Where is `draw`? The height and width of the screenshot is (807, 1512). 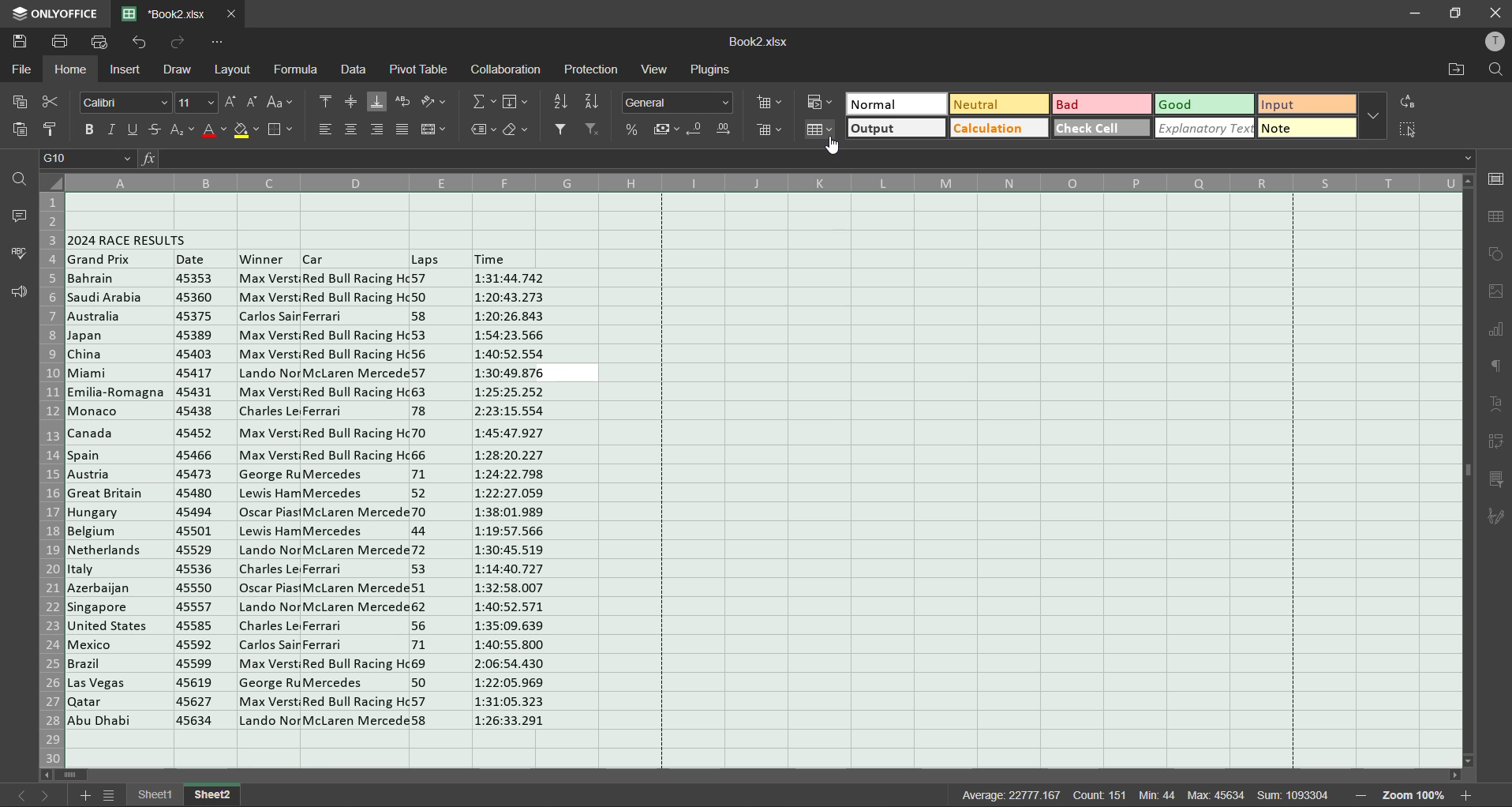
draw is located at coordinates (178, 72).